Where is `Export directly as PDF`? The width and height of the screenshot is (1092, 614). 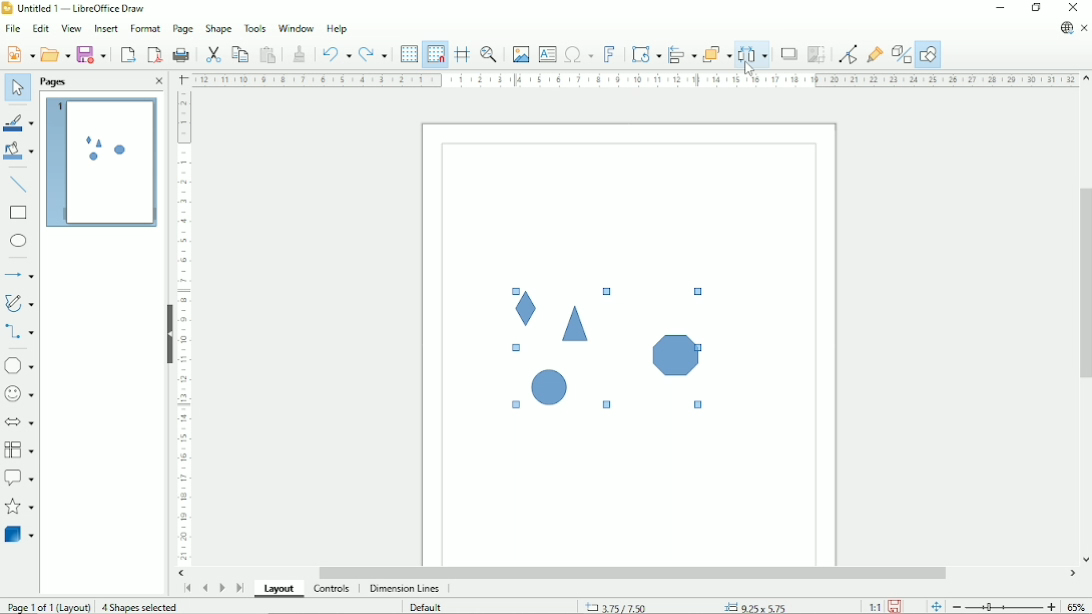 Export directly as PDF is located at coordinates (154, 55).